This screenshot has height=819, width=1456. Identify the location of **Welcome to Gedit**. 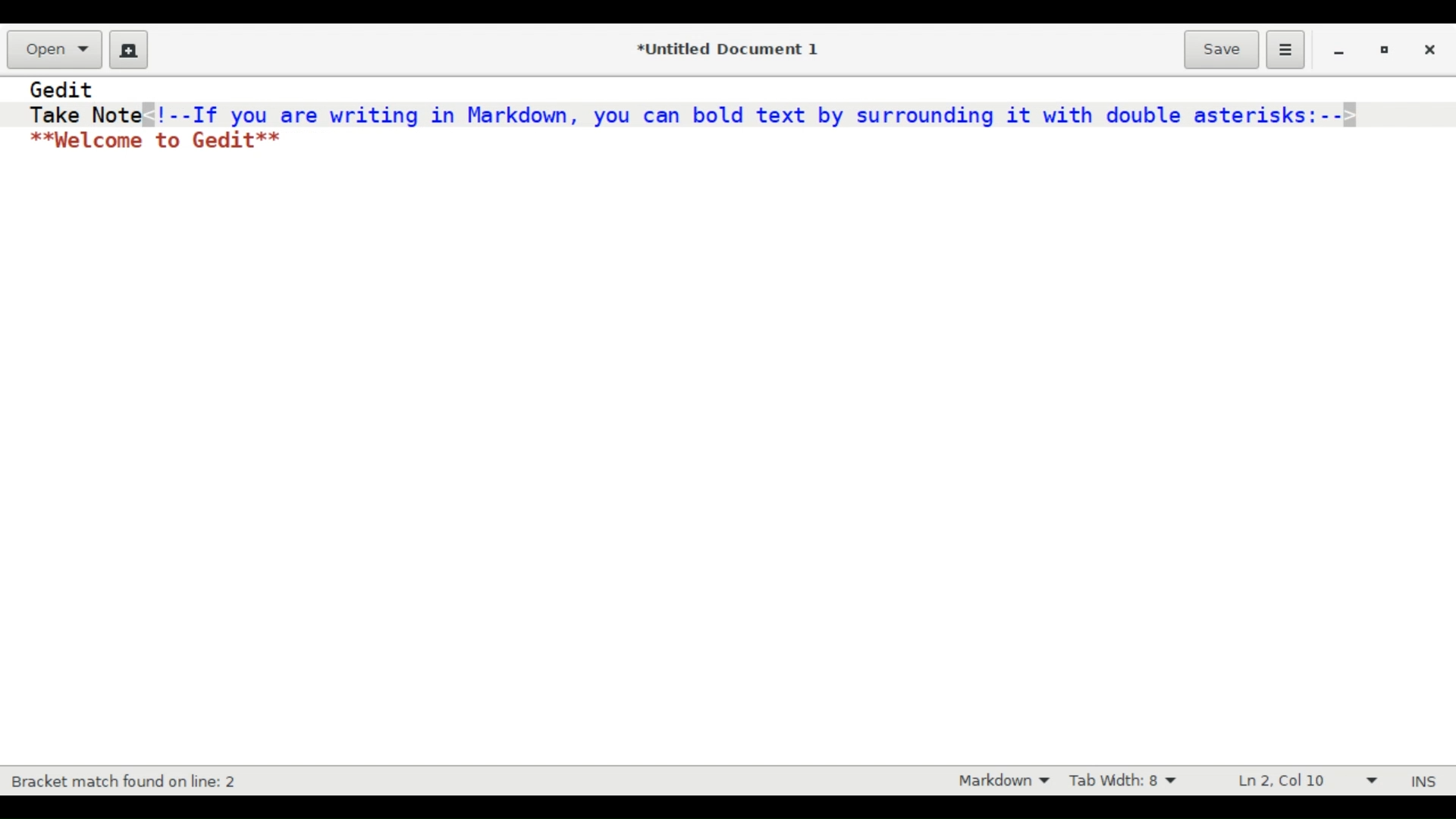
(158, 141).